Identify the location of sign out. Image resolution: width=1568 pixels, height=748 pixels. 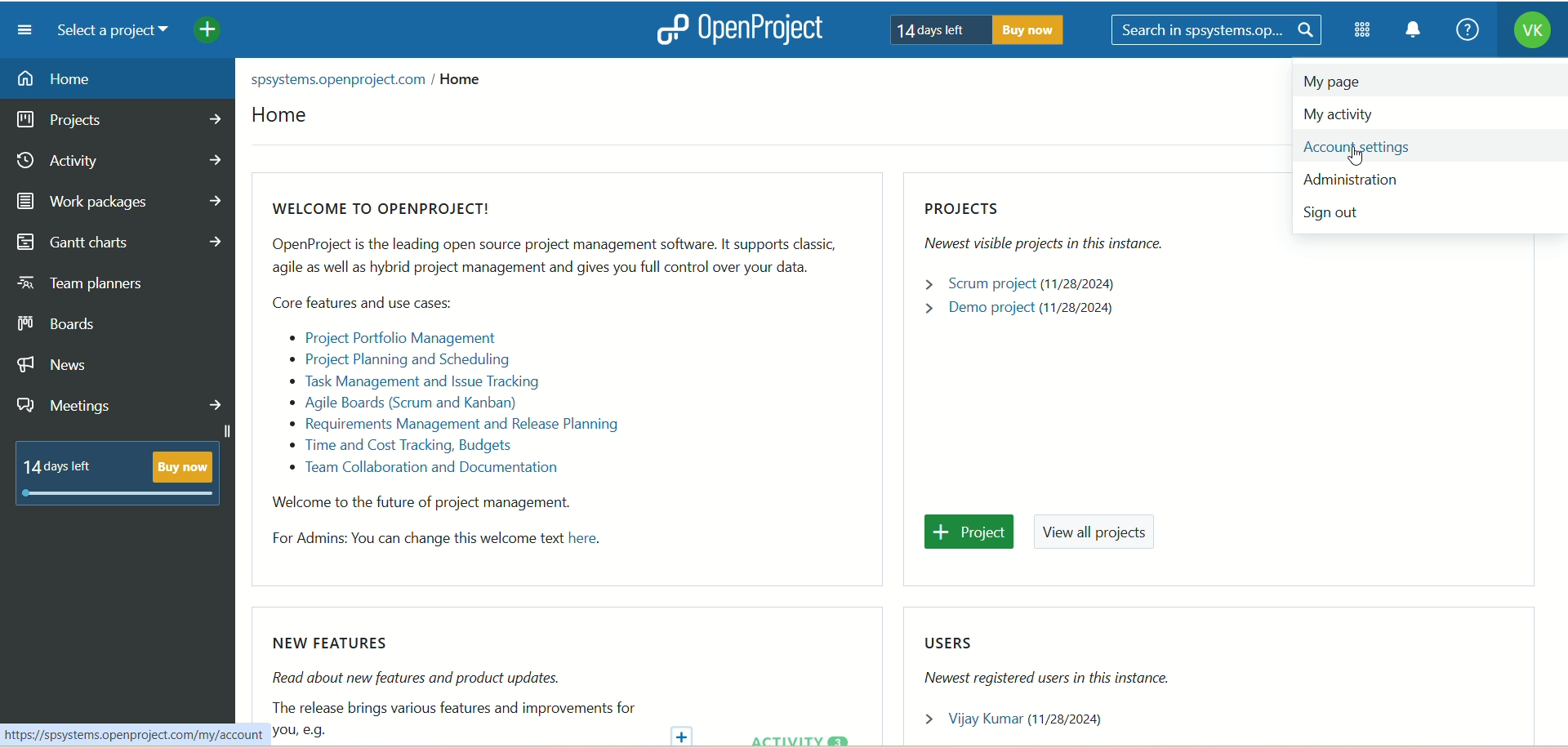
(1339, 217).